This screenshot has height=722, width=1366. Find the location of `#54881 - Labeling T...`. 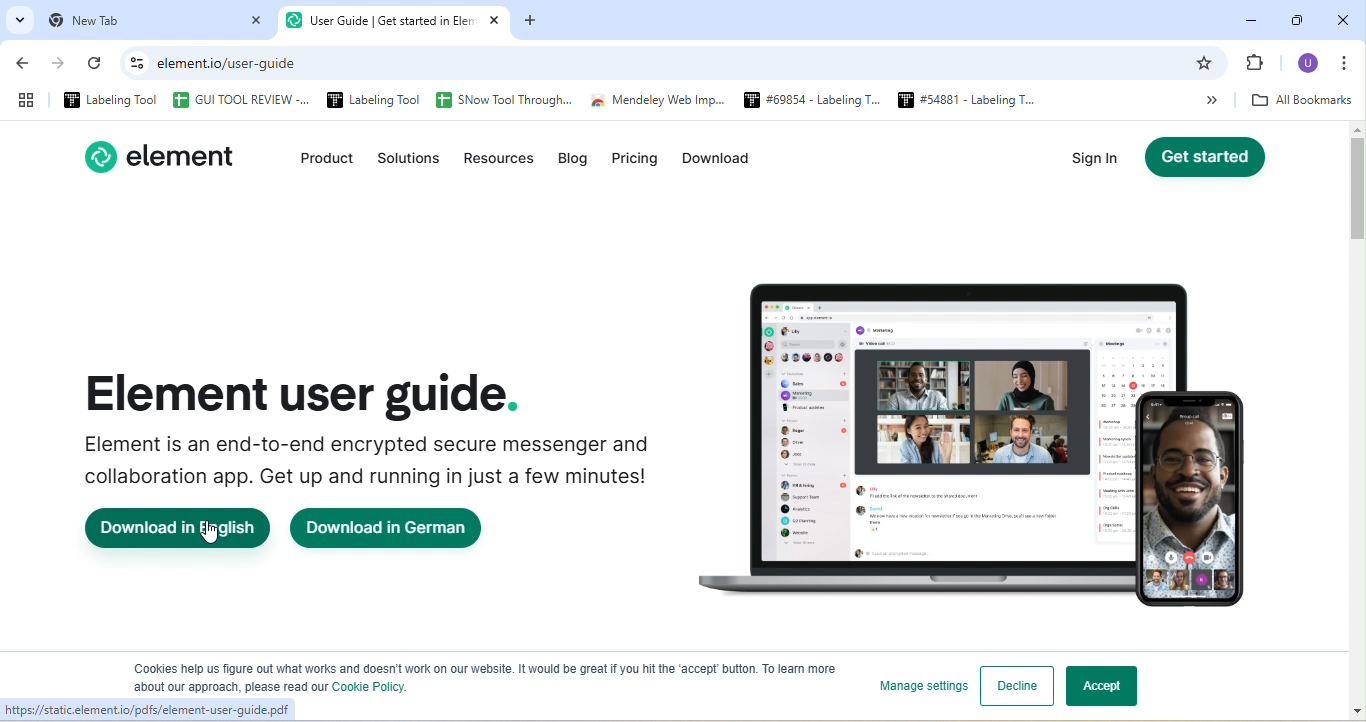

#54881 - Labeling T... is located at coordinates (959, 100).